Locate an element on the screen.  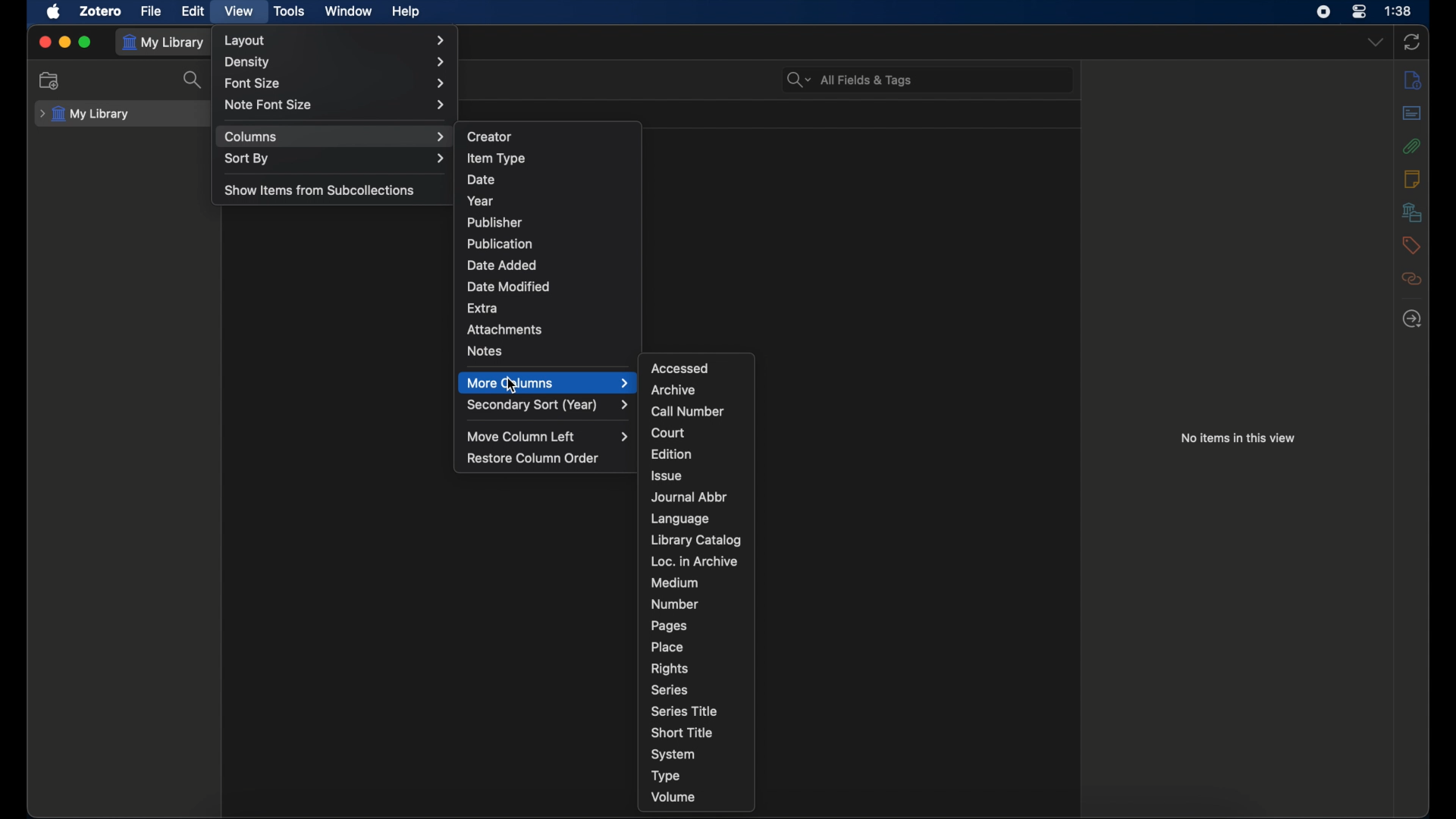
apple icon is located at coordinates (55, 12).